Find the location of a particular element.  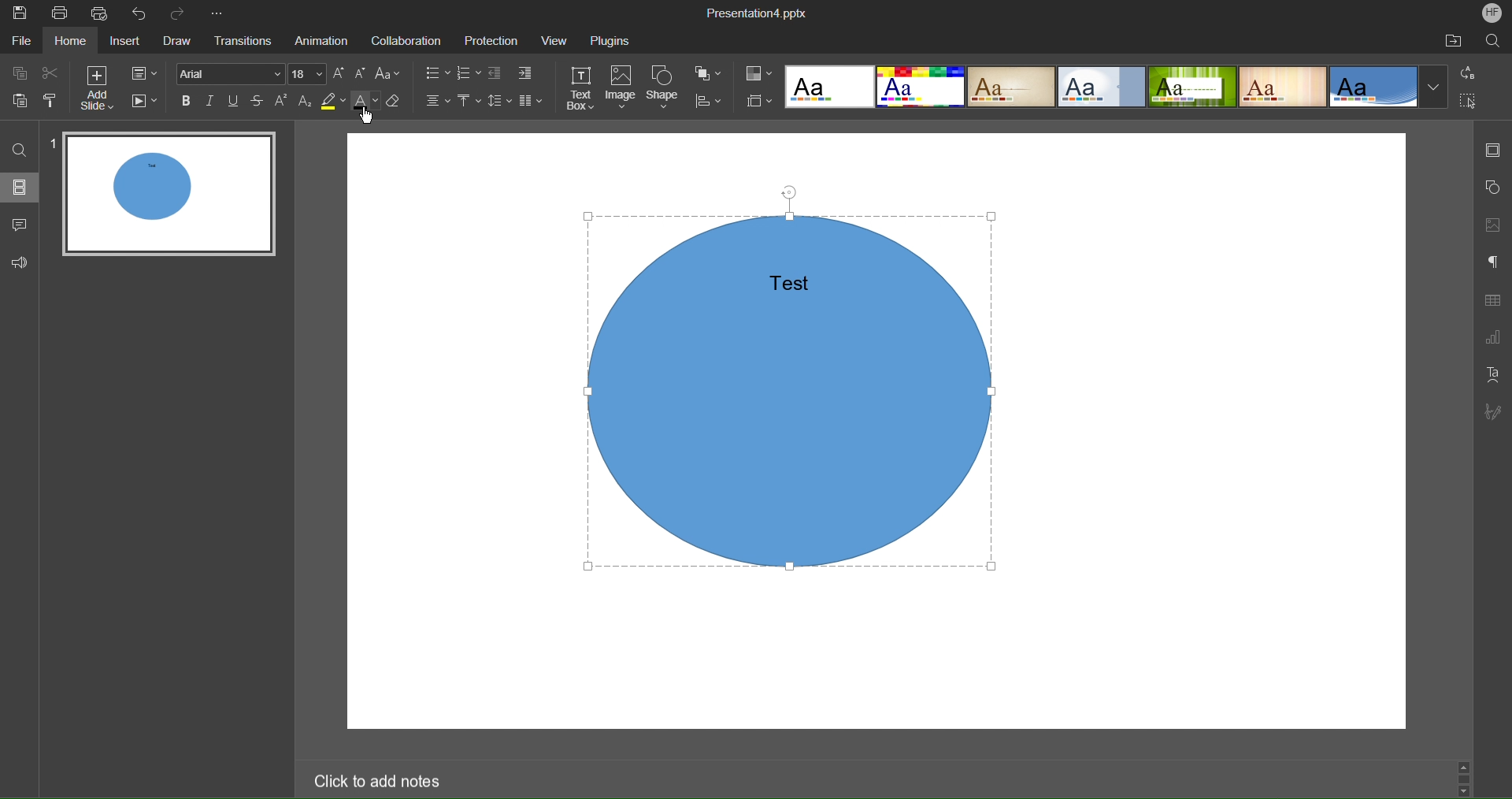

Replace is located at coordinates (1469, 71).